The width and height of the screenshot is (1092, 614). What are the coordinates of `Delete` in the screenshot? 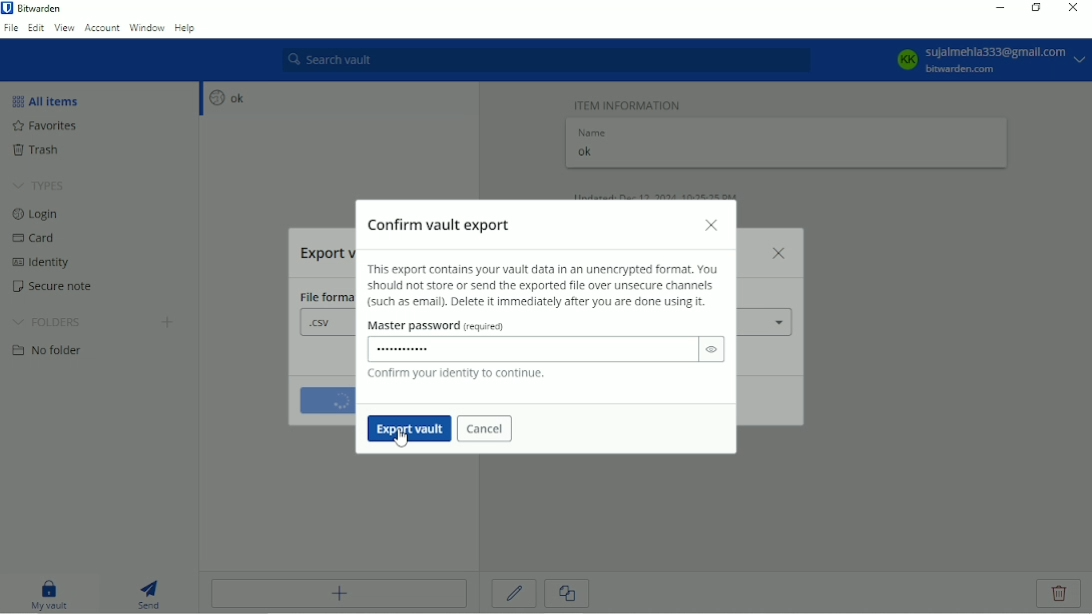 It's located at (1060, 594).